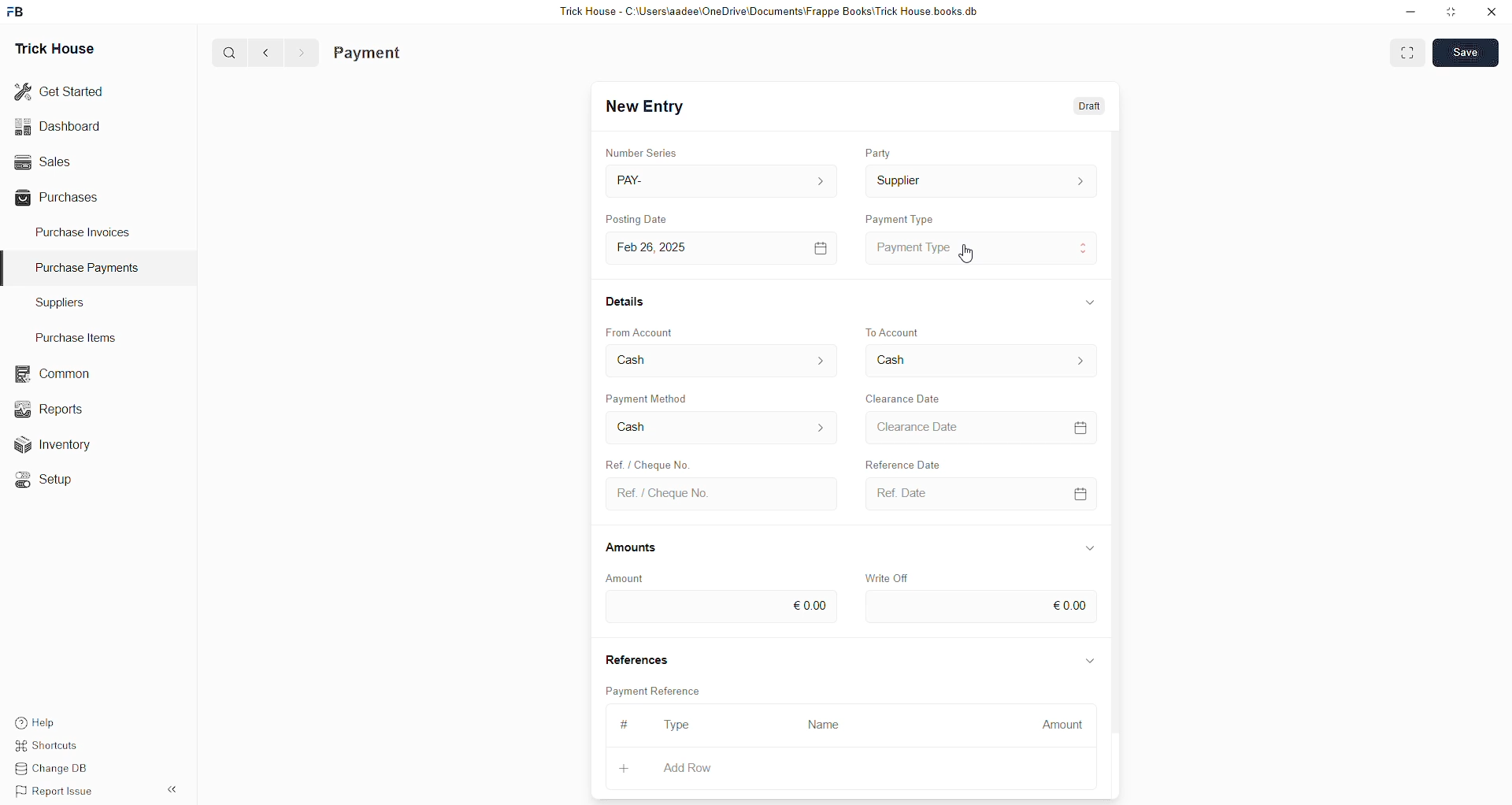 The width and height of the screenshot is (1512, 805). I want to click on To Account, so click(894, 330).